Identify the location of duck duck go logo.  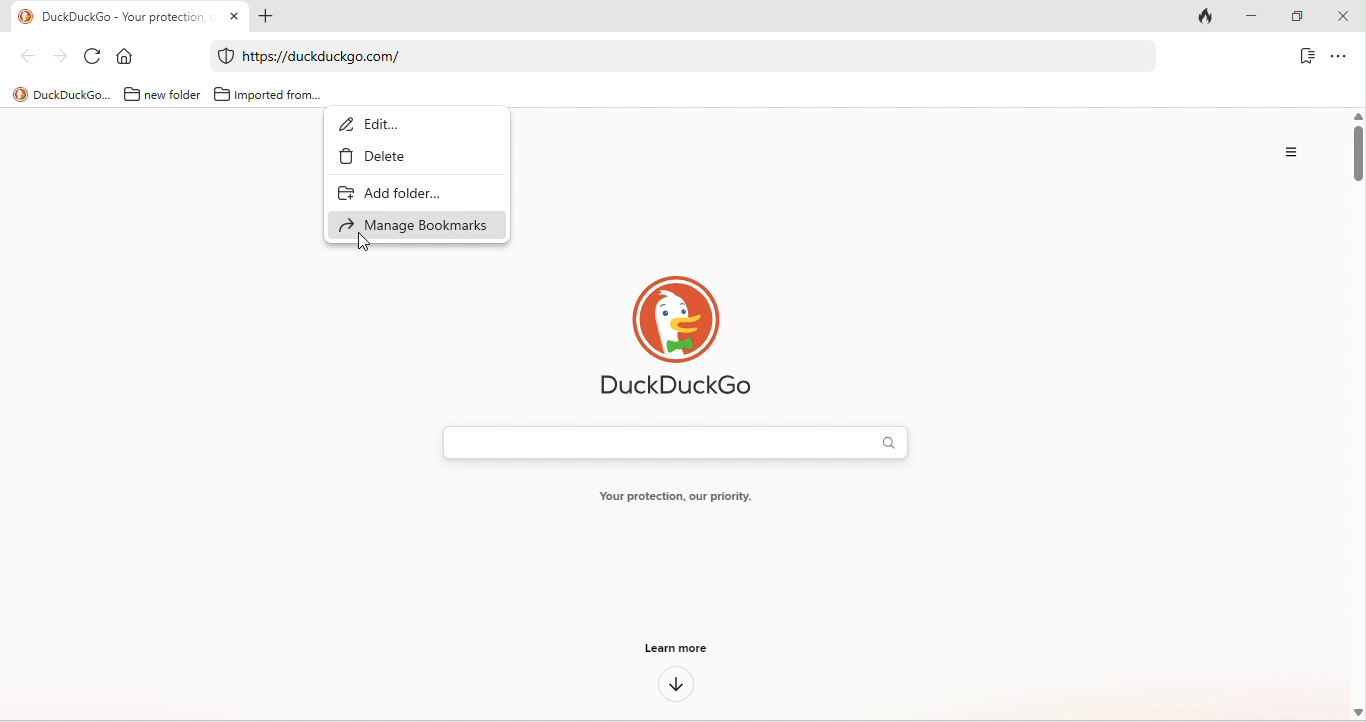
(676, 338).